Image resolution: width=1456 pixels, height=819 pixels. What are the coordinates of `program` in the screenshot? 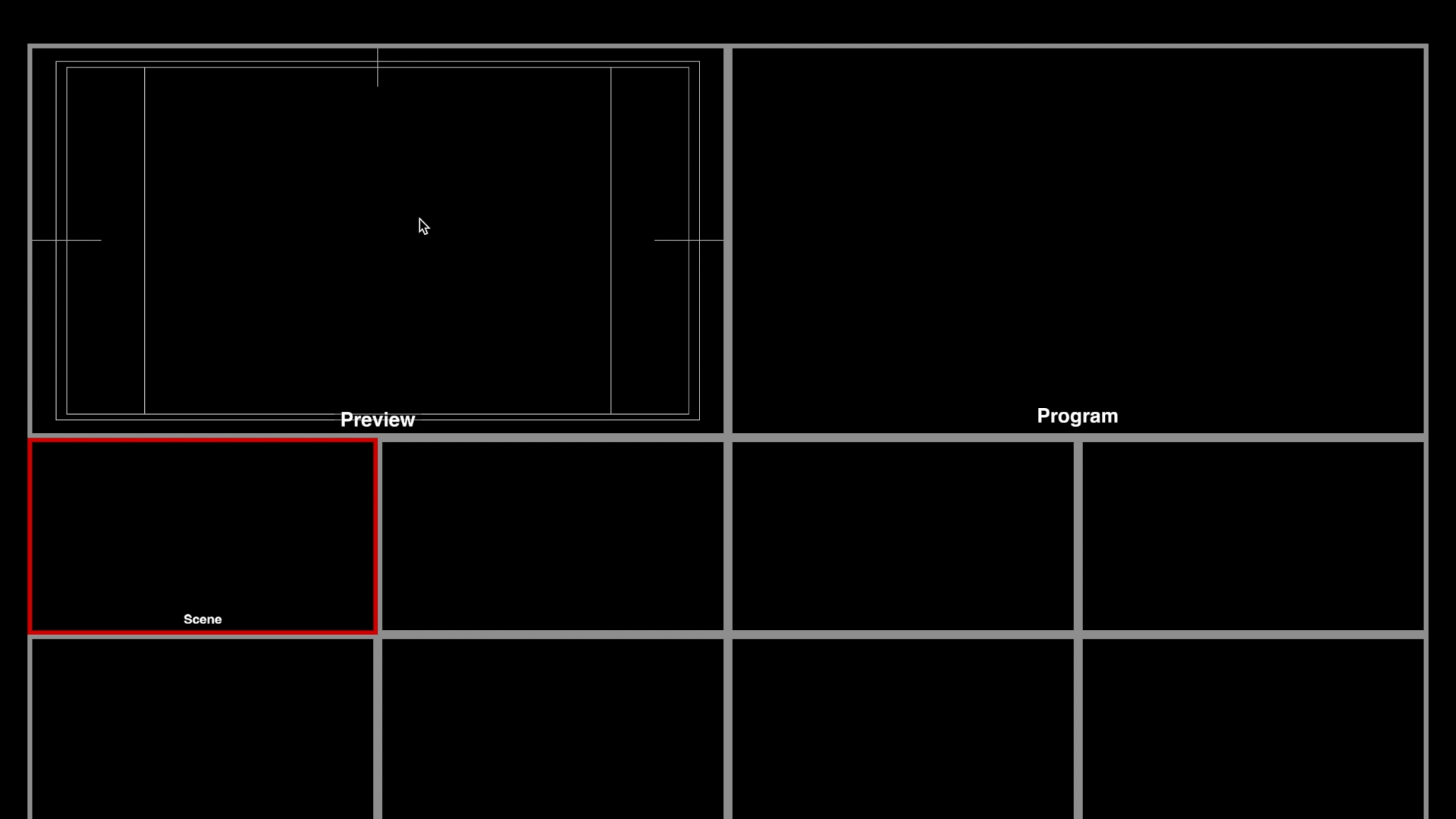 It's located at (1078, 417).